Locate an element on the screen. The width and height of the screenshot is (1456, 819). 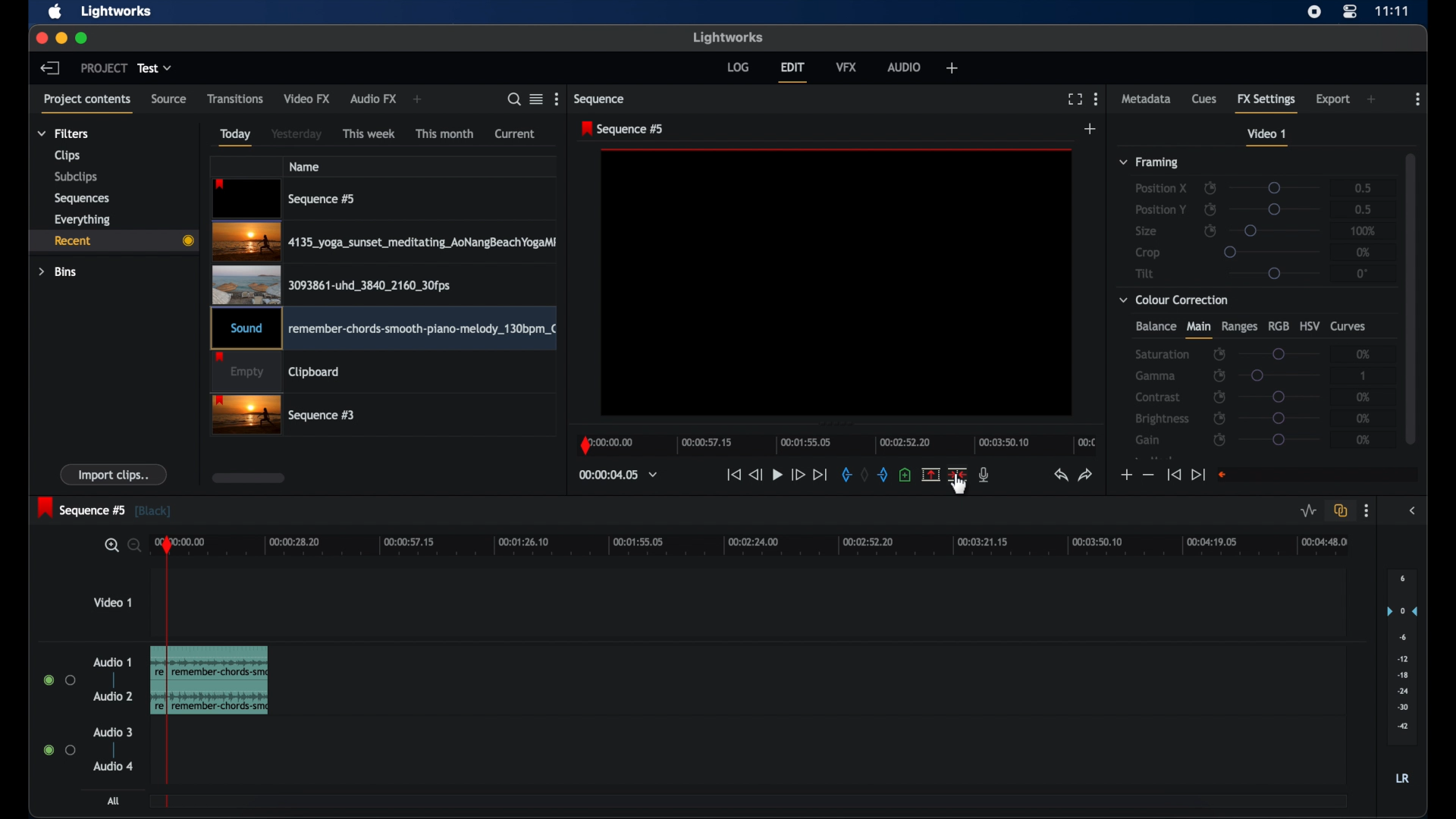
video 1 is located at coordinates (1268, 137).